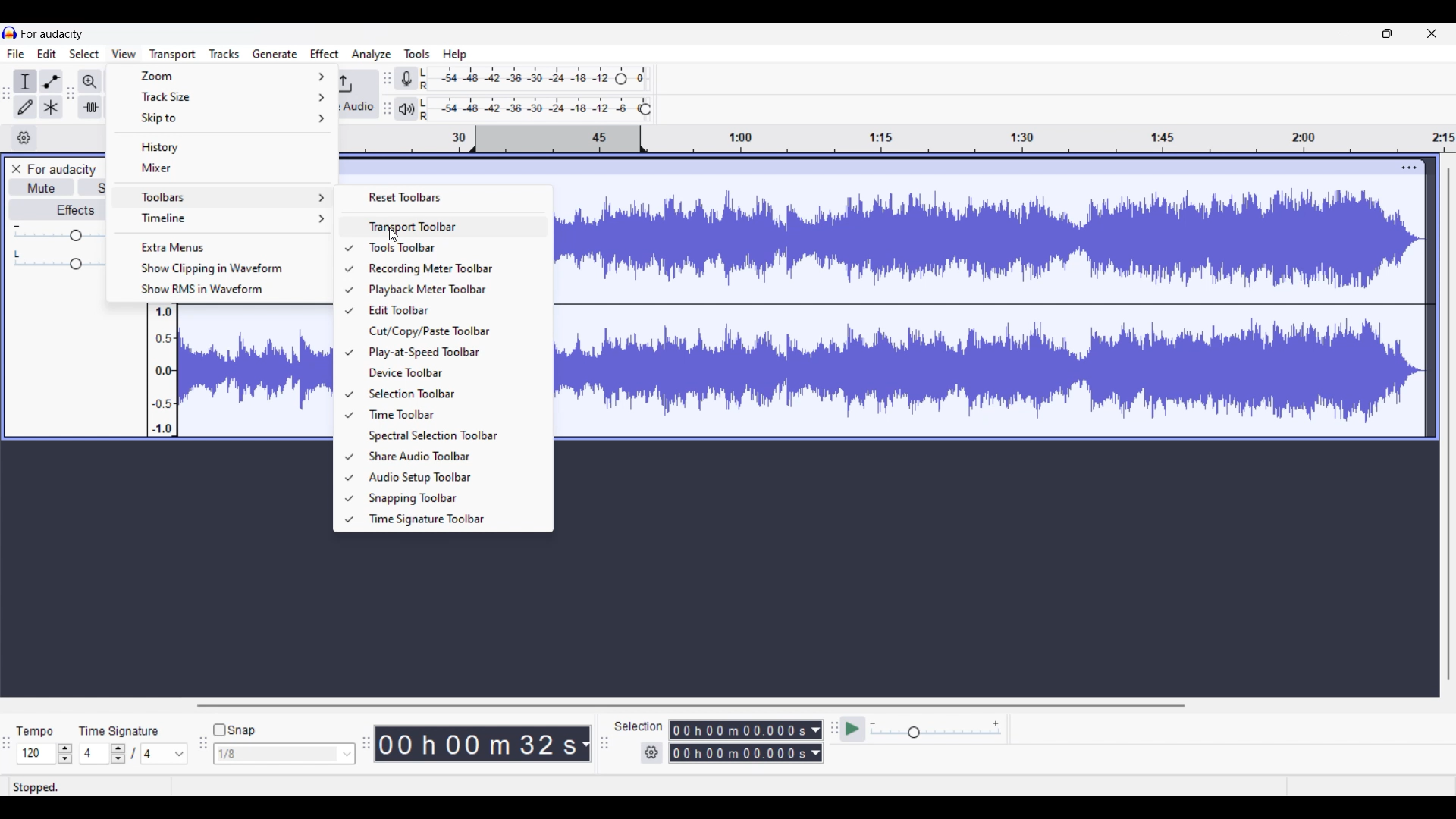 This screenshot has height=819, width=1456. I want to click on Scale to measure track length, so click(898, 139).